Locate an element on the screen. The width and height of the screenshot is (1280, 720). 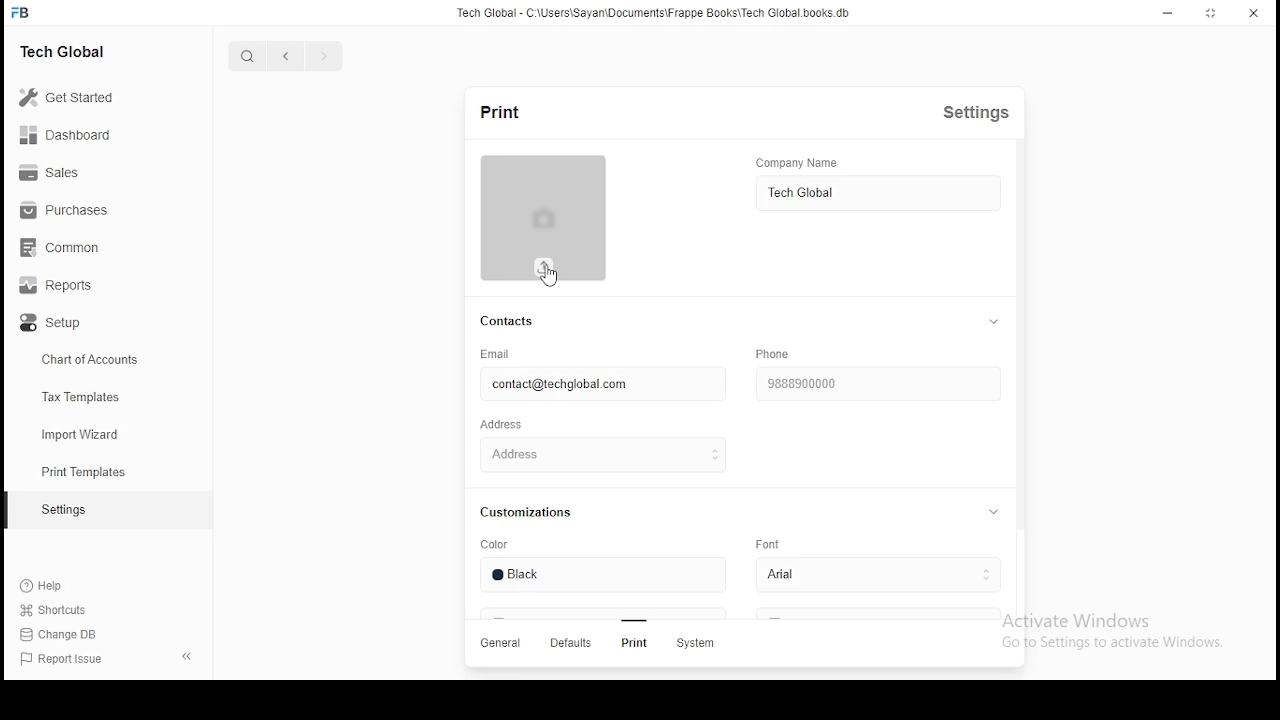
Tax Templates is located at coordinates (86, 399).